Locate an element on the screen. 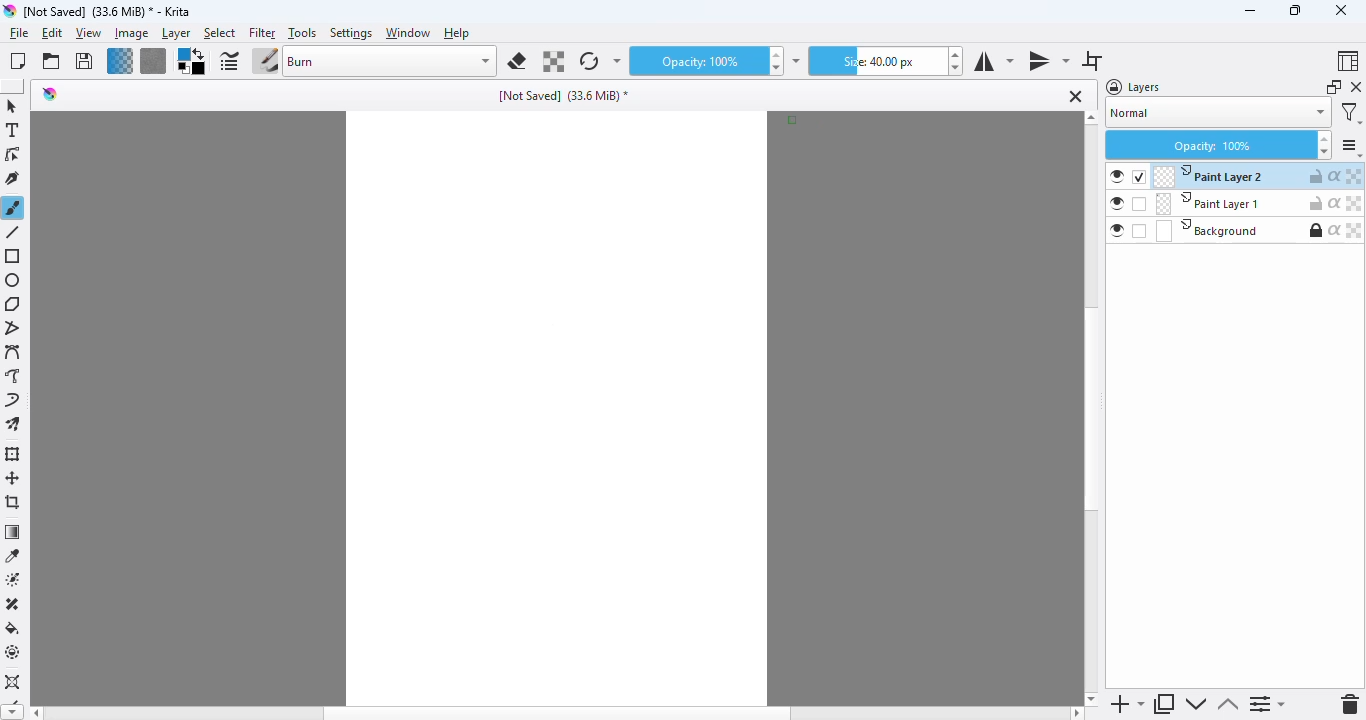 The image size is (1366, 720). opacity: 100% is located at coordinates (1218, 145).